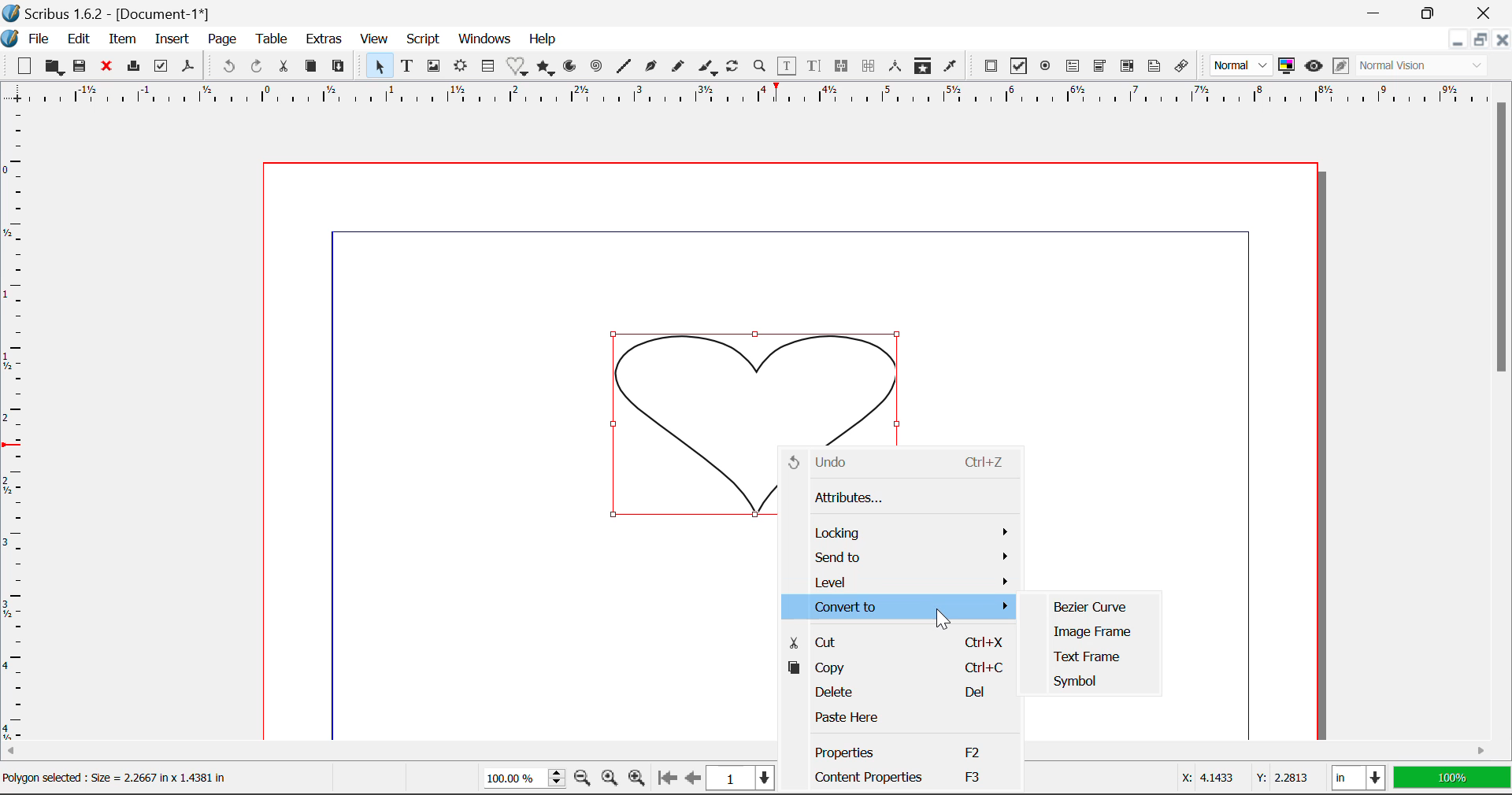 Image resolution: width=1512 pixels, height=795 pixels. I want to click on Polygon selected : Size = 2.2667 in x 1.4381 in, so click(119, 780).